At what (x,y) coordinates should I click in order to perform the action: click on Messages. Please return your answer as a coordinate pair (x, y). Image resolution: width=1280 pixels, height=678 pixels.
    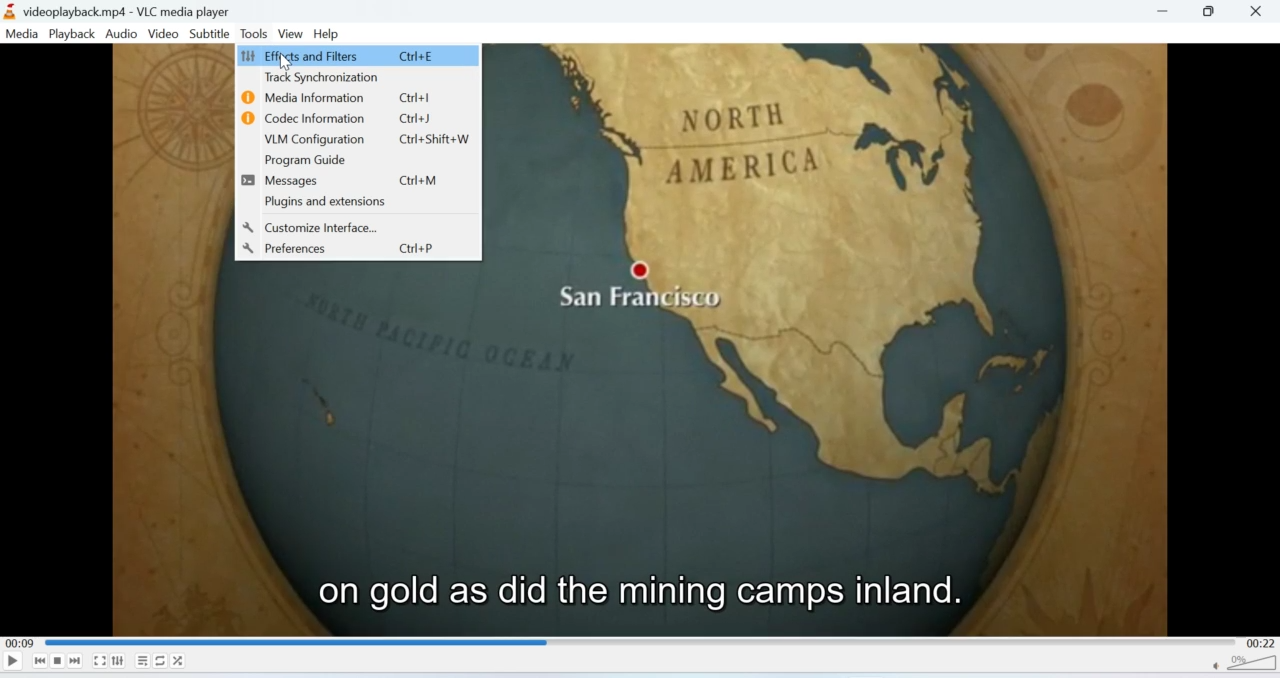
    Looking at the image, I should click on (291, 181).